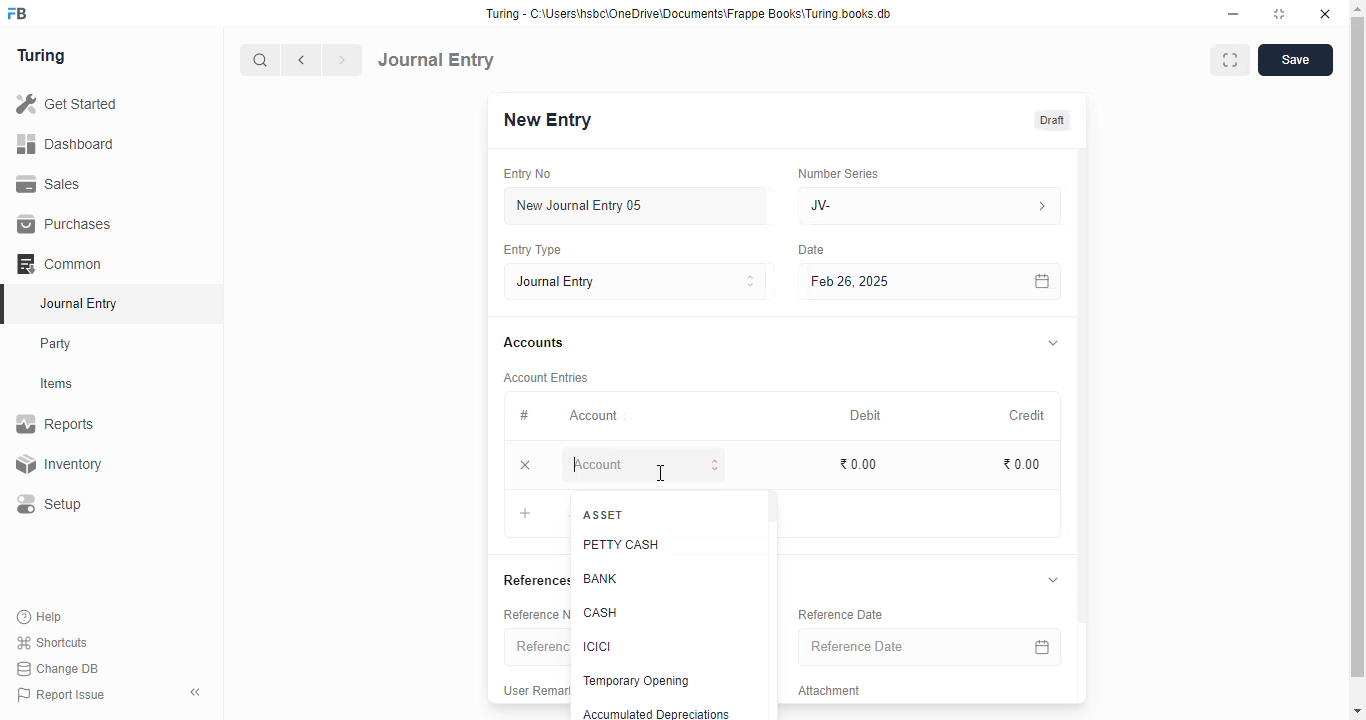 This screenshot has width=1366, height=720. What do you see at coordinates (58, 464) in the screenshot?
I see `inventory` at bounding box center [58, 464].